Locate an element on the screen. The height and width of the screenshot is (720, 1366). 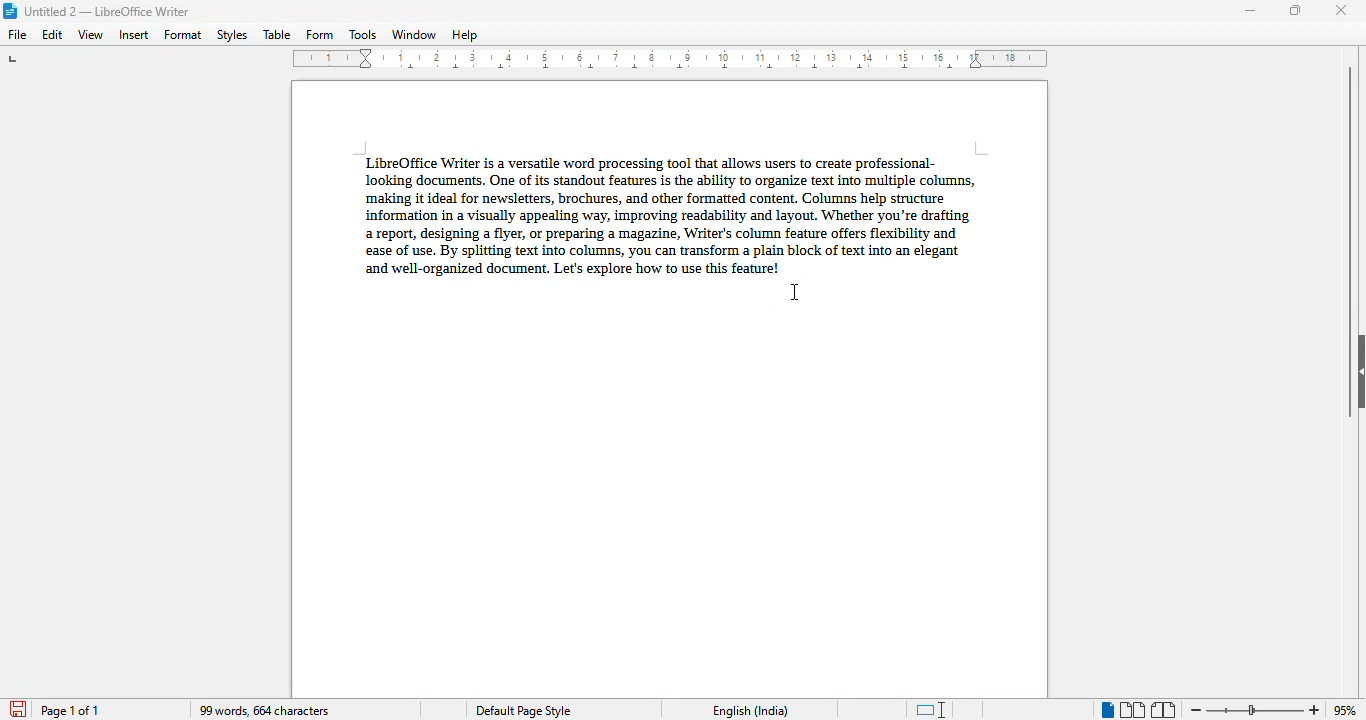
LibreOffice logo is located at coordinates (11, 11).